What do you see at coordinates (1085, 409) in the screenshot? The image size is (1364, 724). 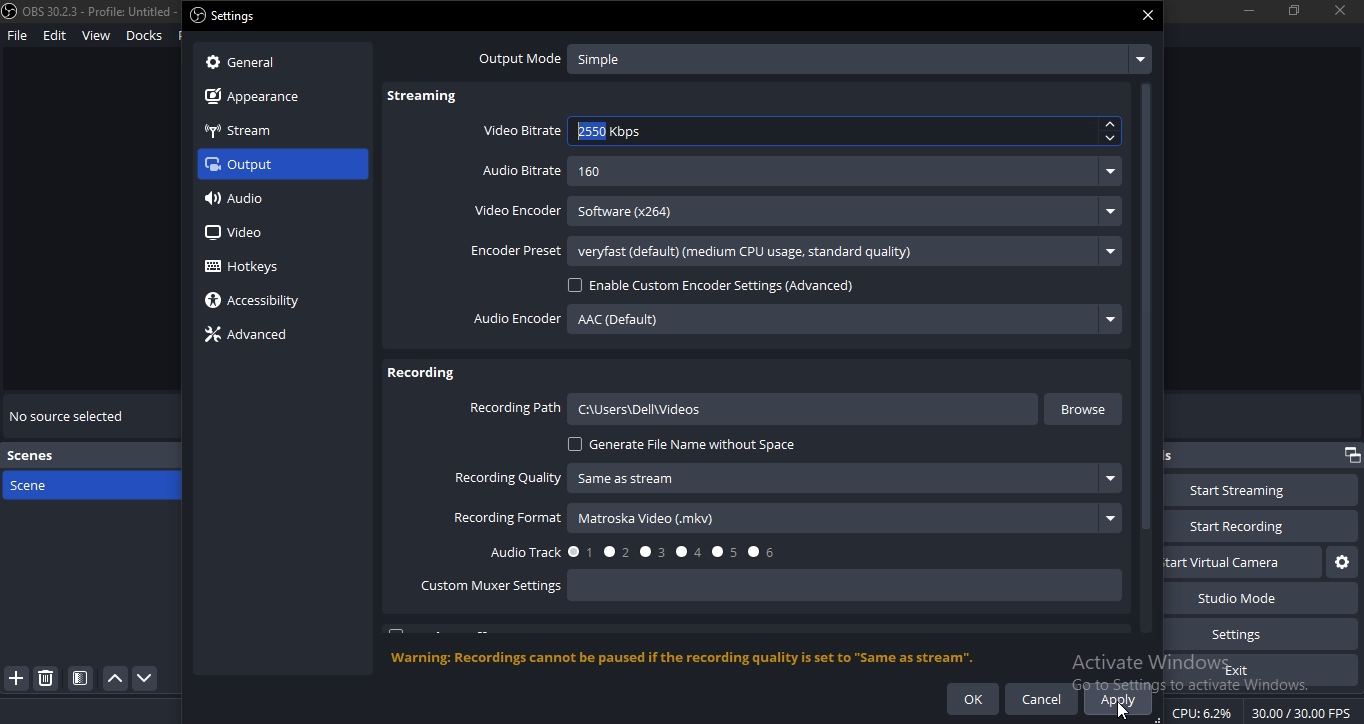 I see `browse` at bounding box center [1085, 409].